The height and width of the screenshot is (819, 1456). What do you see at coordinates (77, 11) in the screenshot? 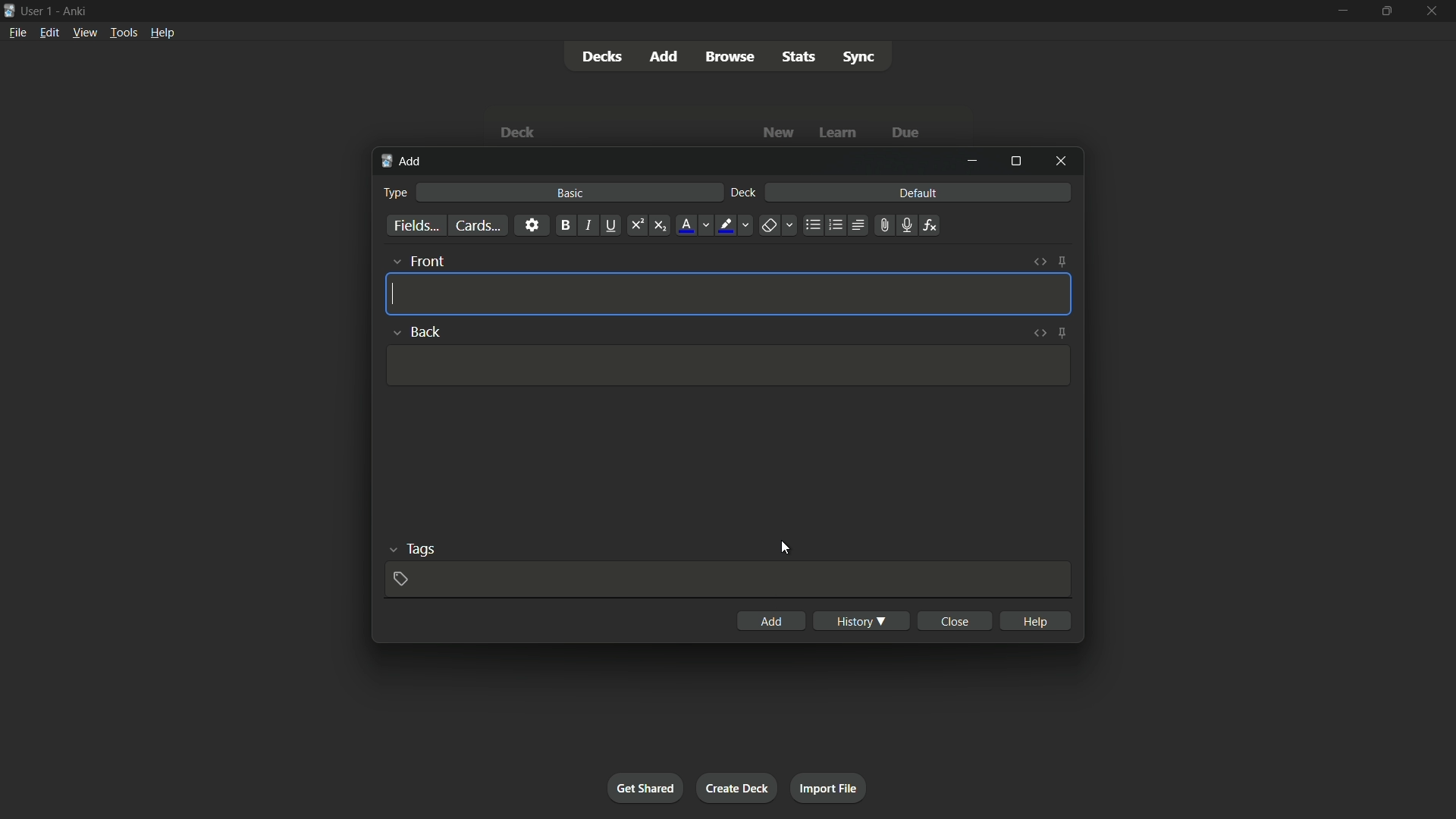
I see `app name` at bounding box center [77, 11].